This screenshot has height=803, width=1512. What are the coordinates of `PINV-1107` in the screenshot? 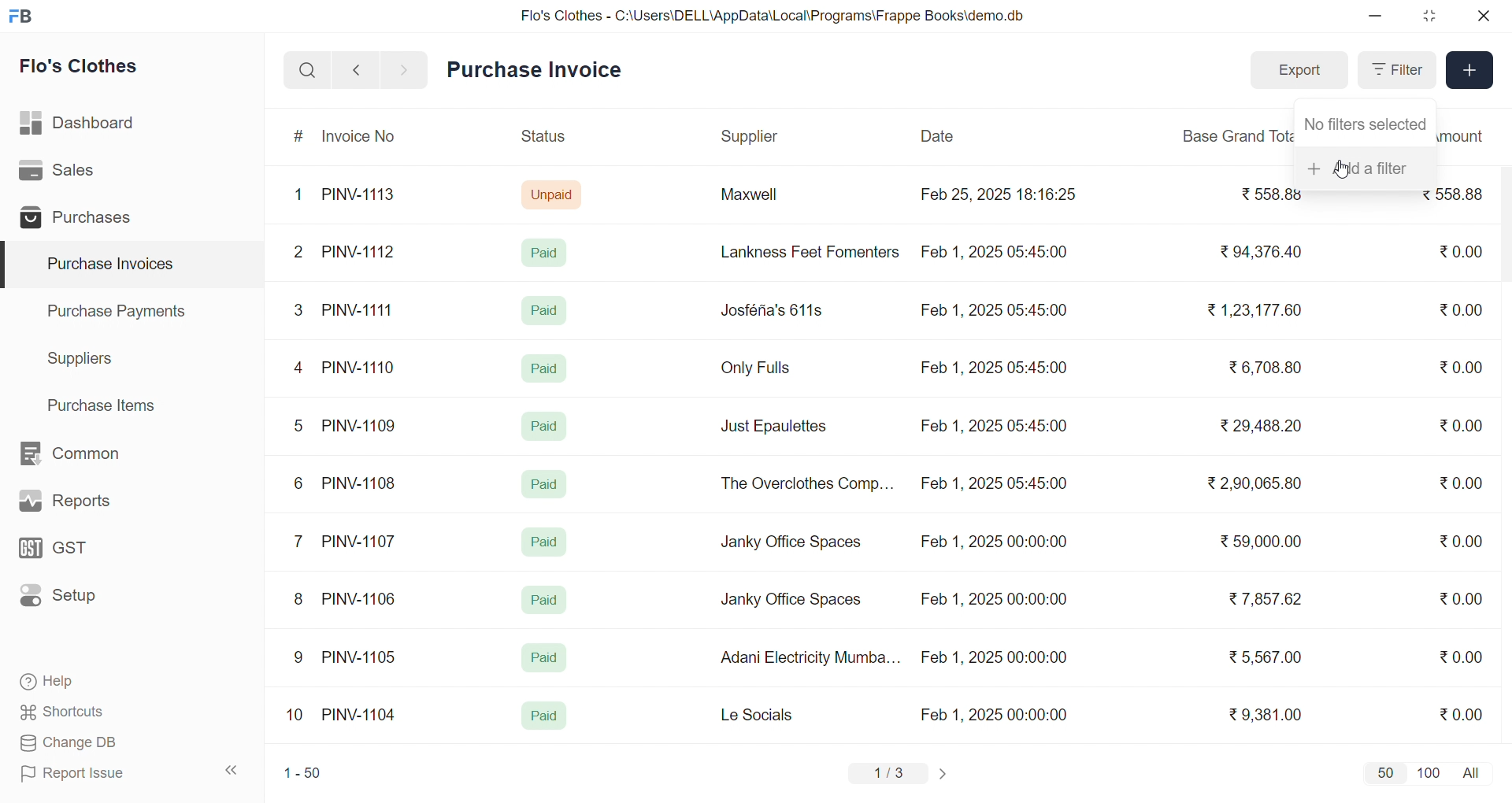 It's located at (362, 542).